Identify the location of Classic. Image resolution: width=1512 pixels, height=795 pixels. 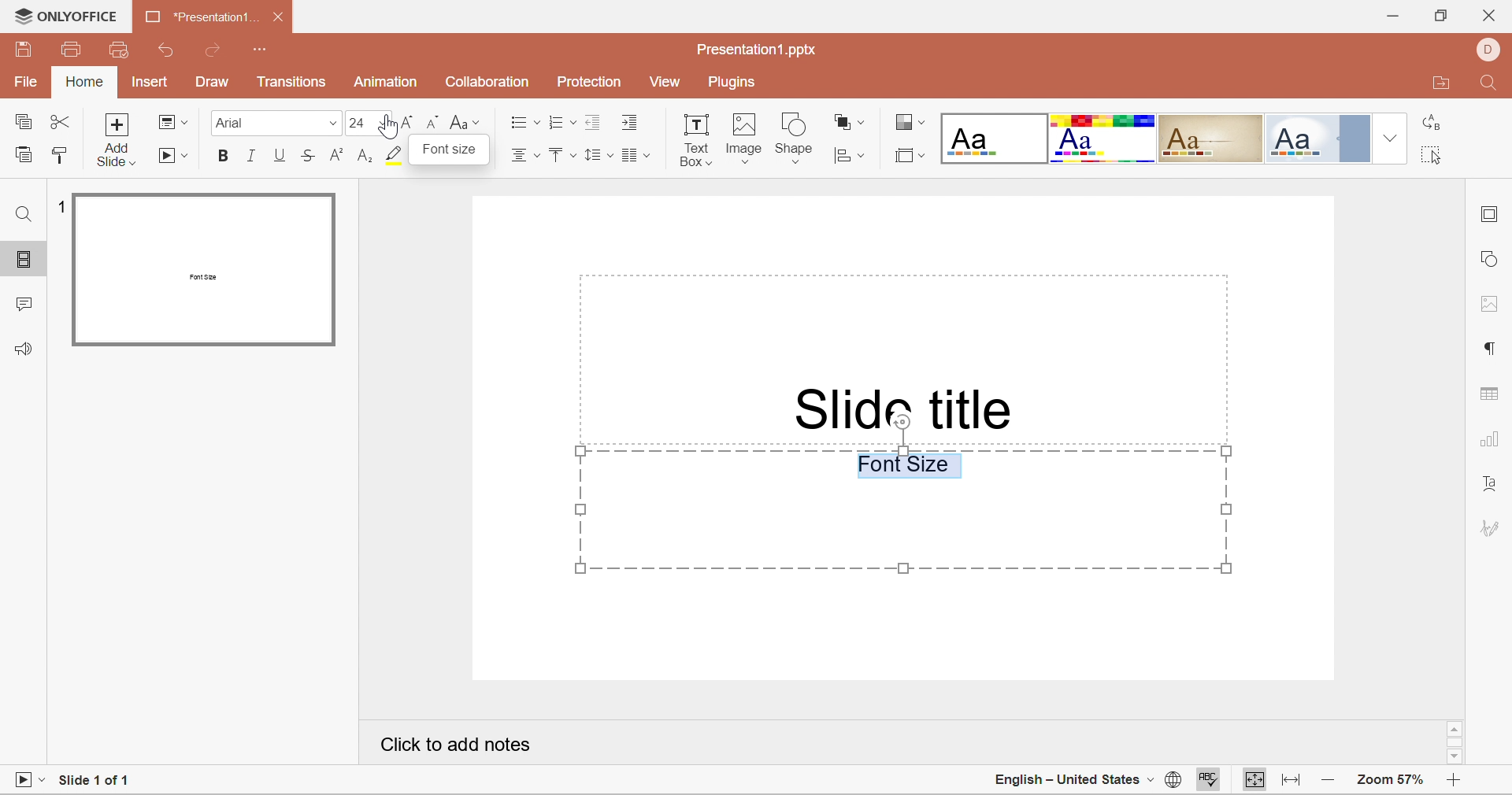
(1211, 136).